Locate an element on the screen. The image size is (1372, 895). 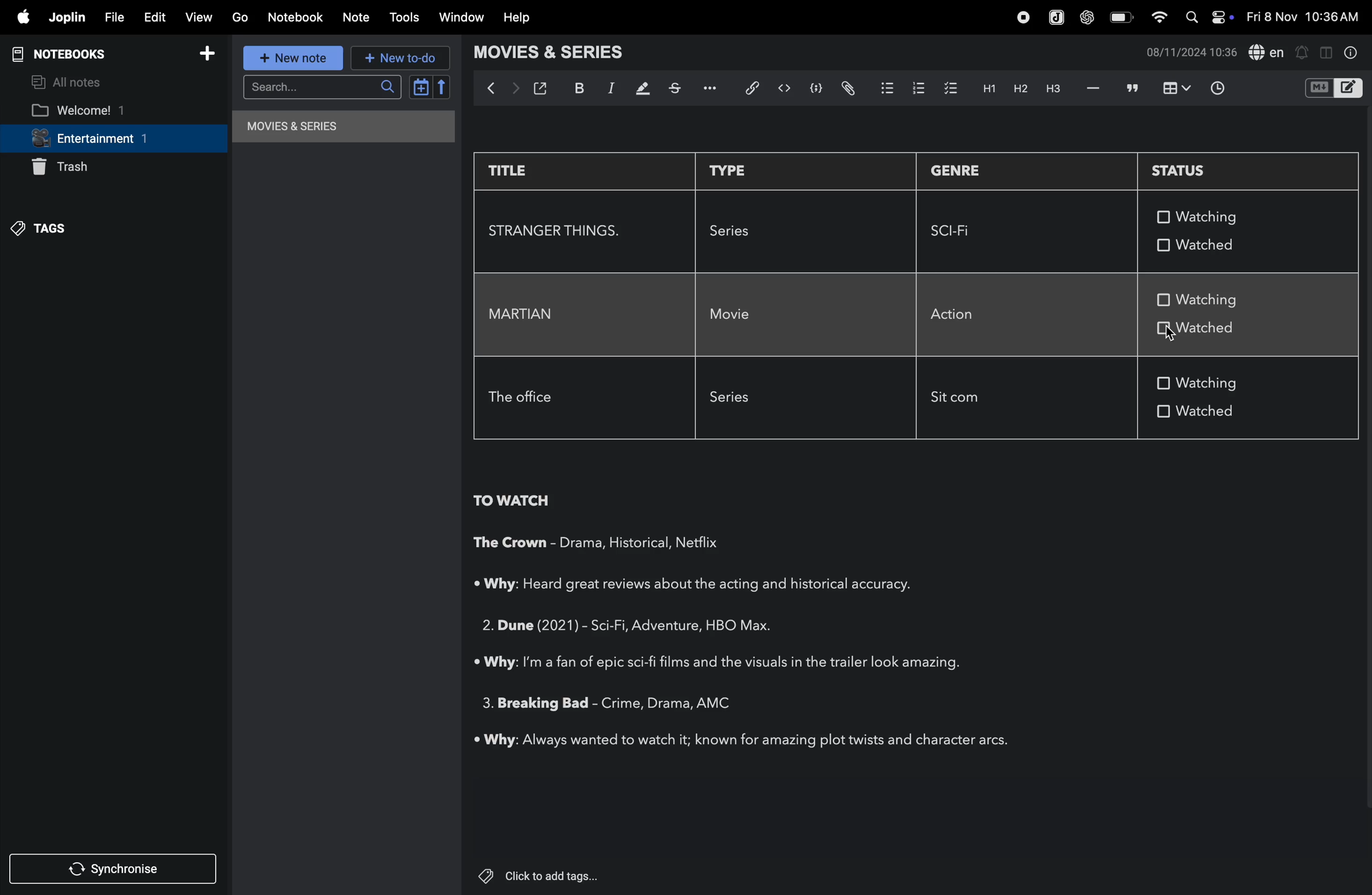
toggle editors is located at coordinates (1335, 87).